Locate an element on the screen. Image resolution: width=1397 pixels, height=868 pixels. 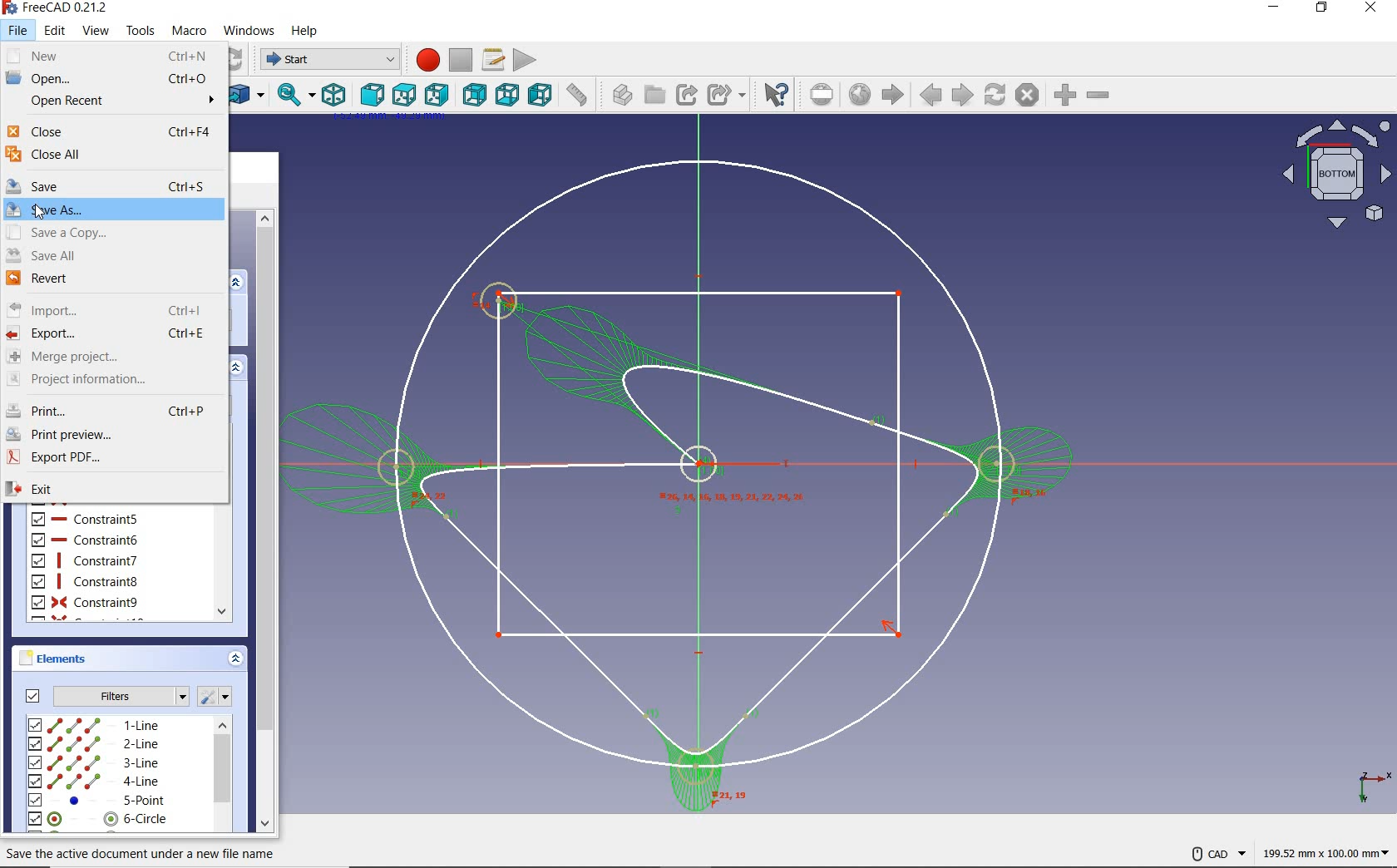
sync view is located at coordinates (293, 96).